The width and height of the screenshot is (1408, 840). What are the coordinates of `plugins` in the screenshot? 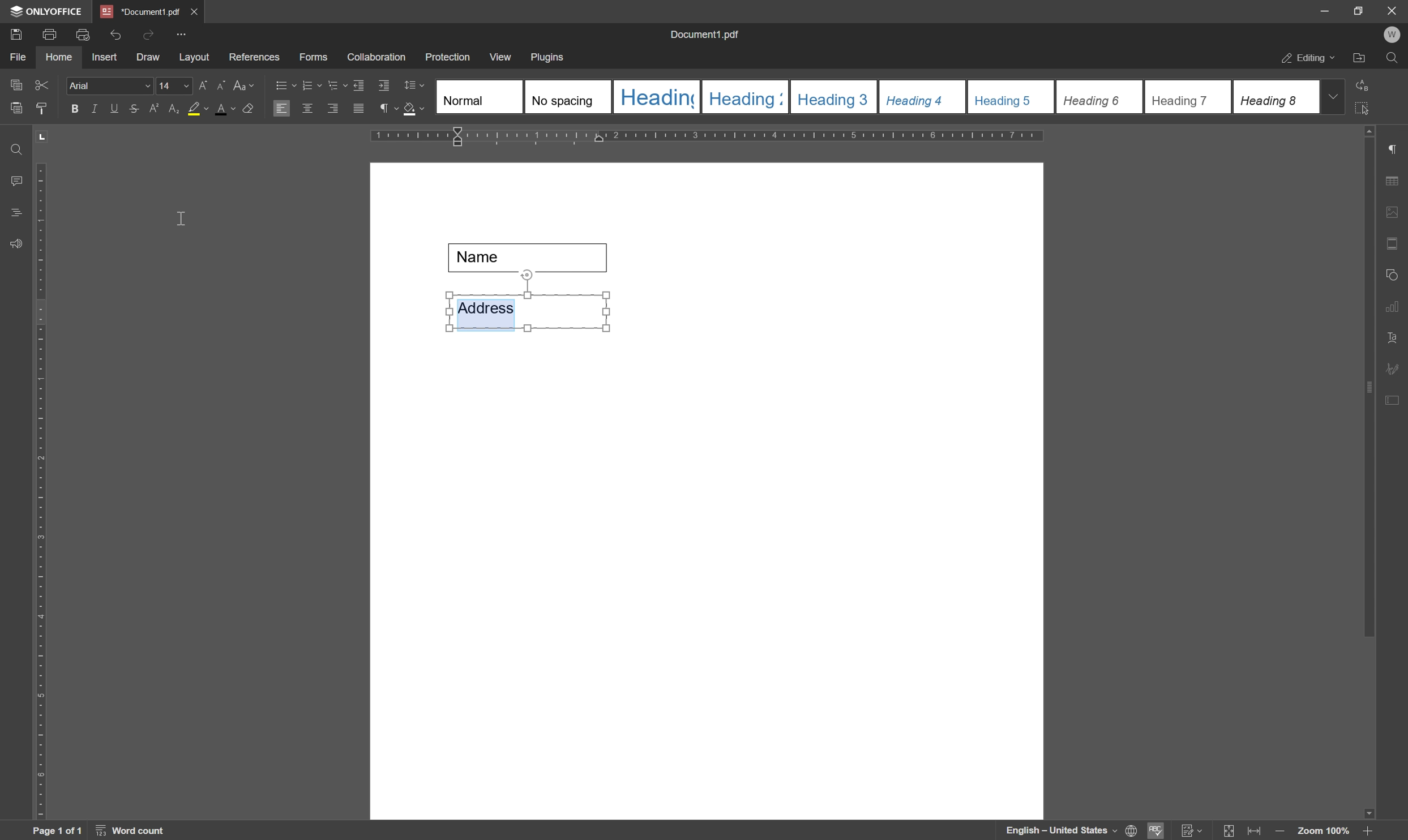 It's located at (549, 58).